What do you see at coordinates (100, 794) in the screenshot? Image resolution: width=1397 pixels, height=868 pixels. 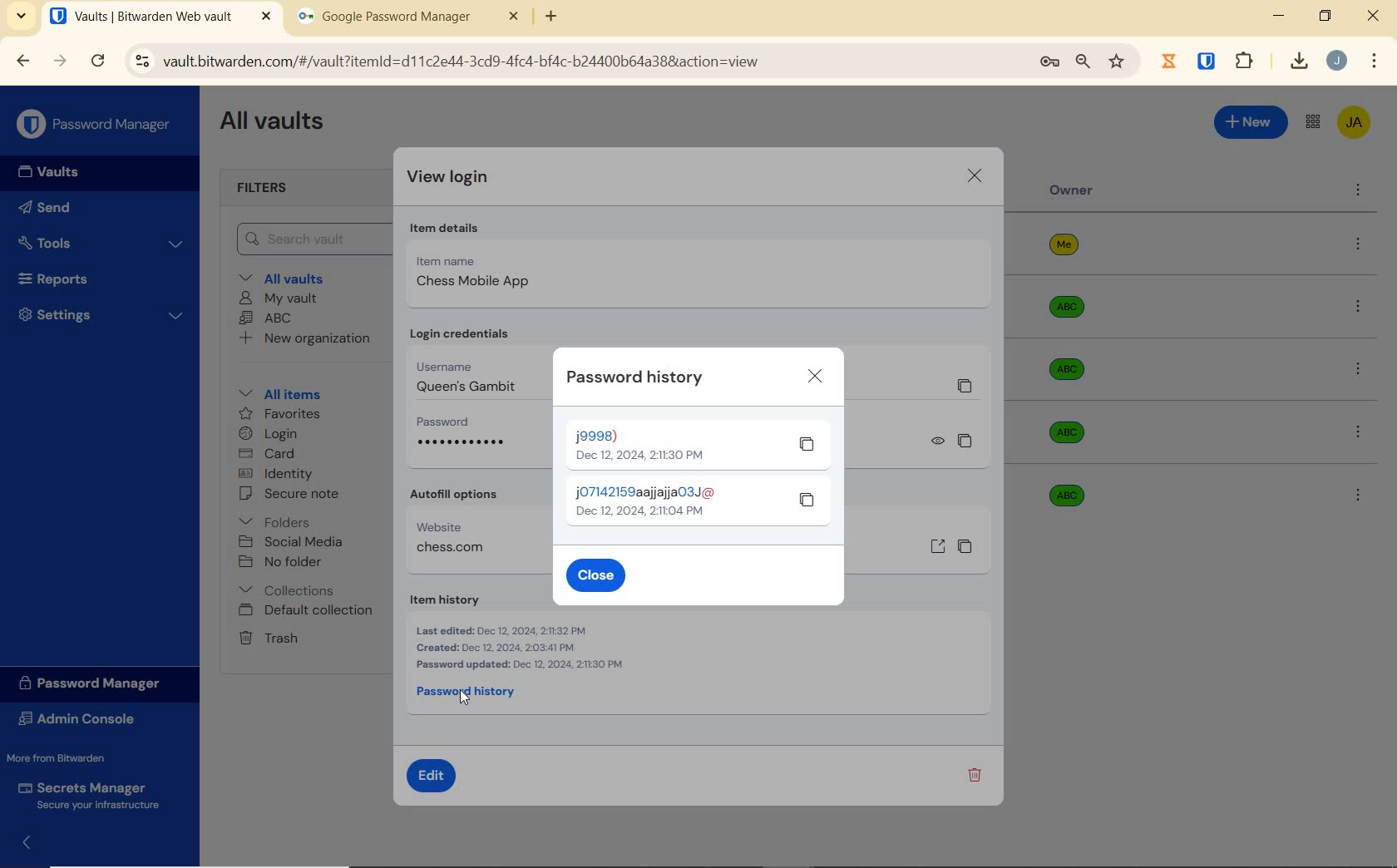 I see `Secrets Manager` at bounding box center [100, 794].